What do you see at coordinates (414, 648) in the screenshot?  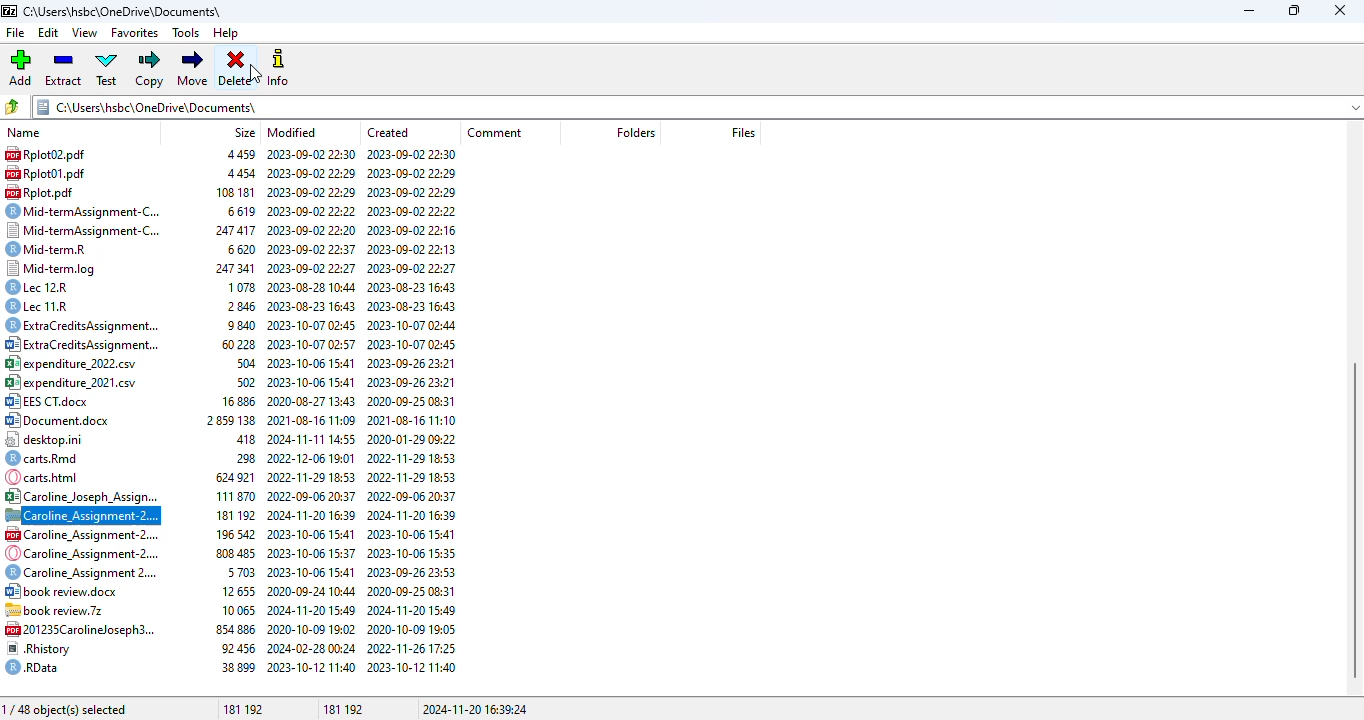 I see ` 2022-11-2617:25` at bounding box center [414, 648].